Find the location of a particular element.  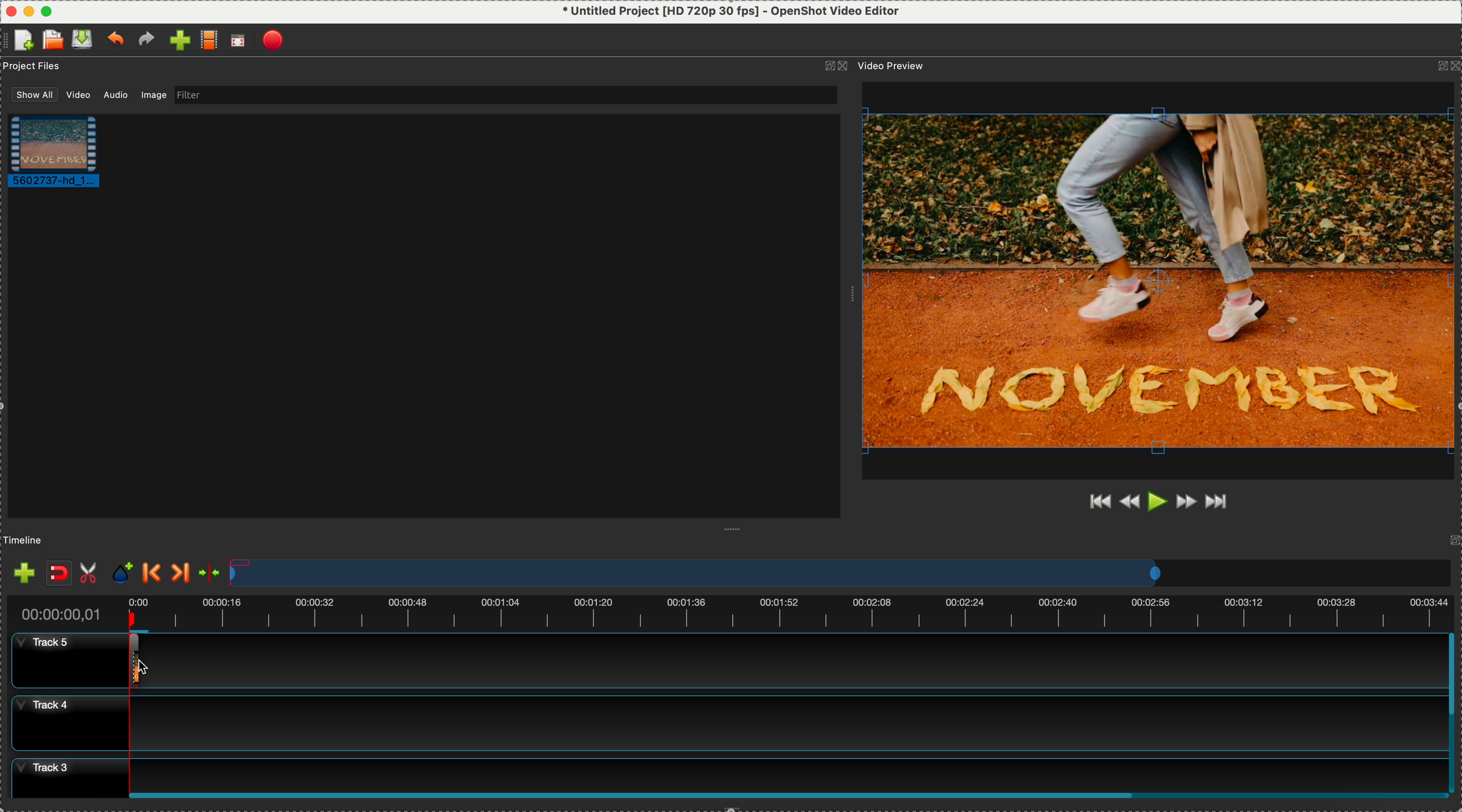

timeline is located at coordinates (27, 539).